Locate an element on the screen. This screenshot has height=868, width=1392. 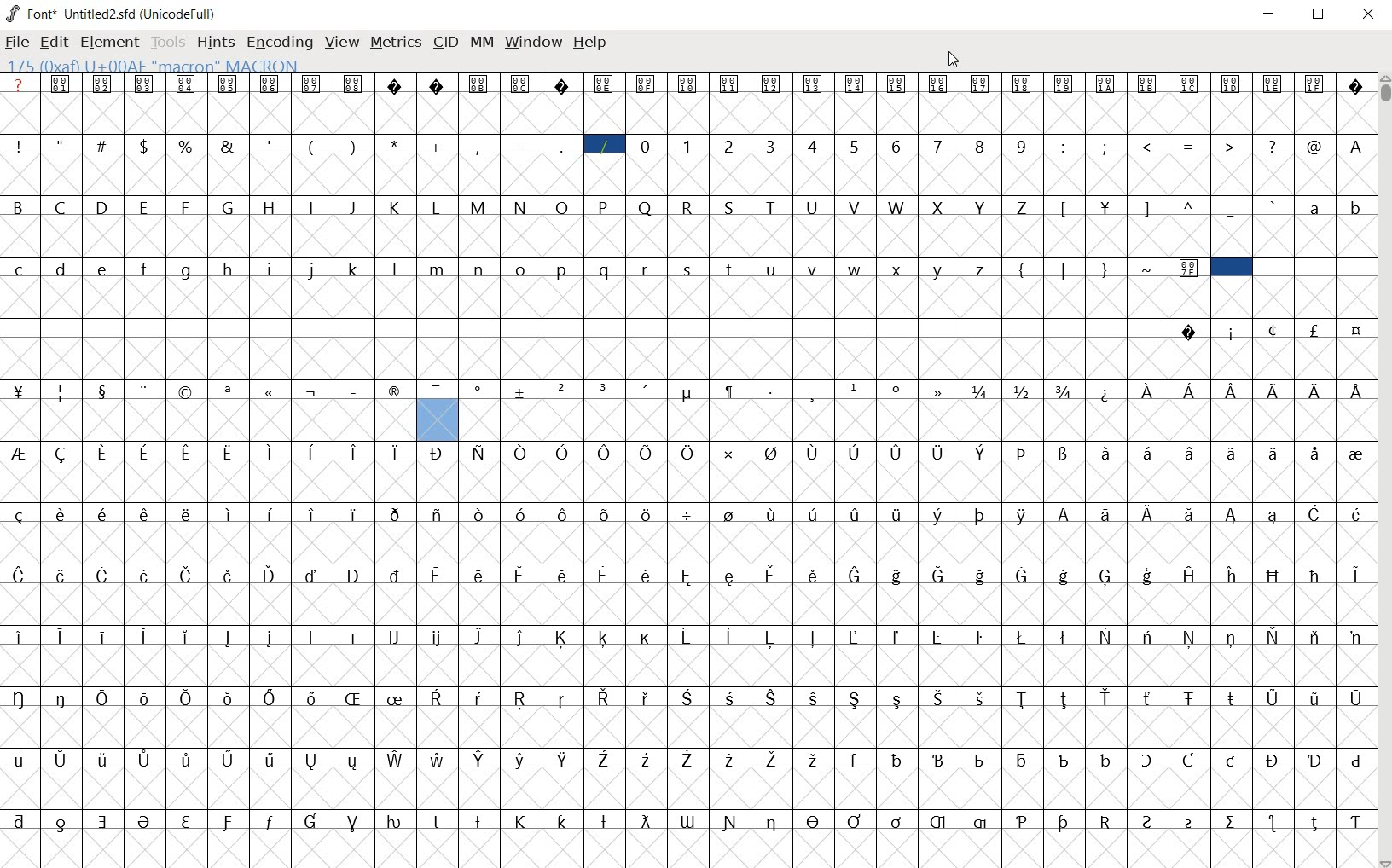
Symbol is located at coordinates (481, 697).